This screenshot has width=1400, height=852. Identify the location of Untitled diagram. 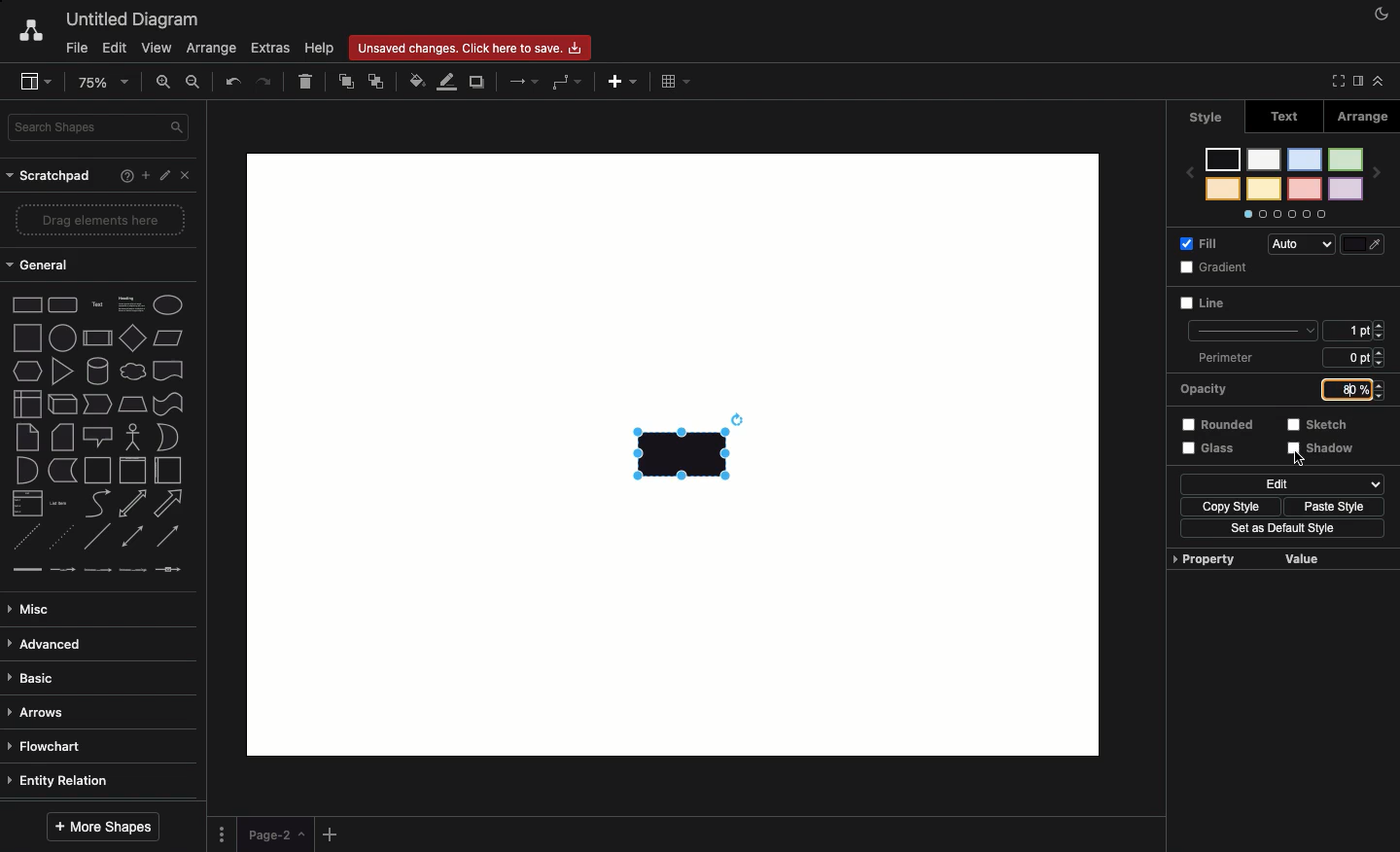
(131, 20).